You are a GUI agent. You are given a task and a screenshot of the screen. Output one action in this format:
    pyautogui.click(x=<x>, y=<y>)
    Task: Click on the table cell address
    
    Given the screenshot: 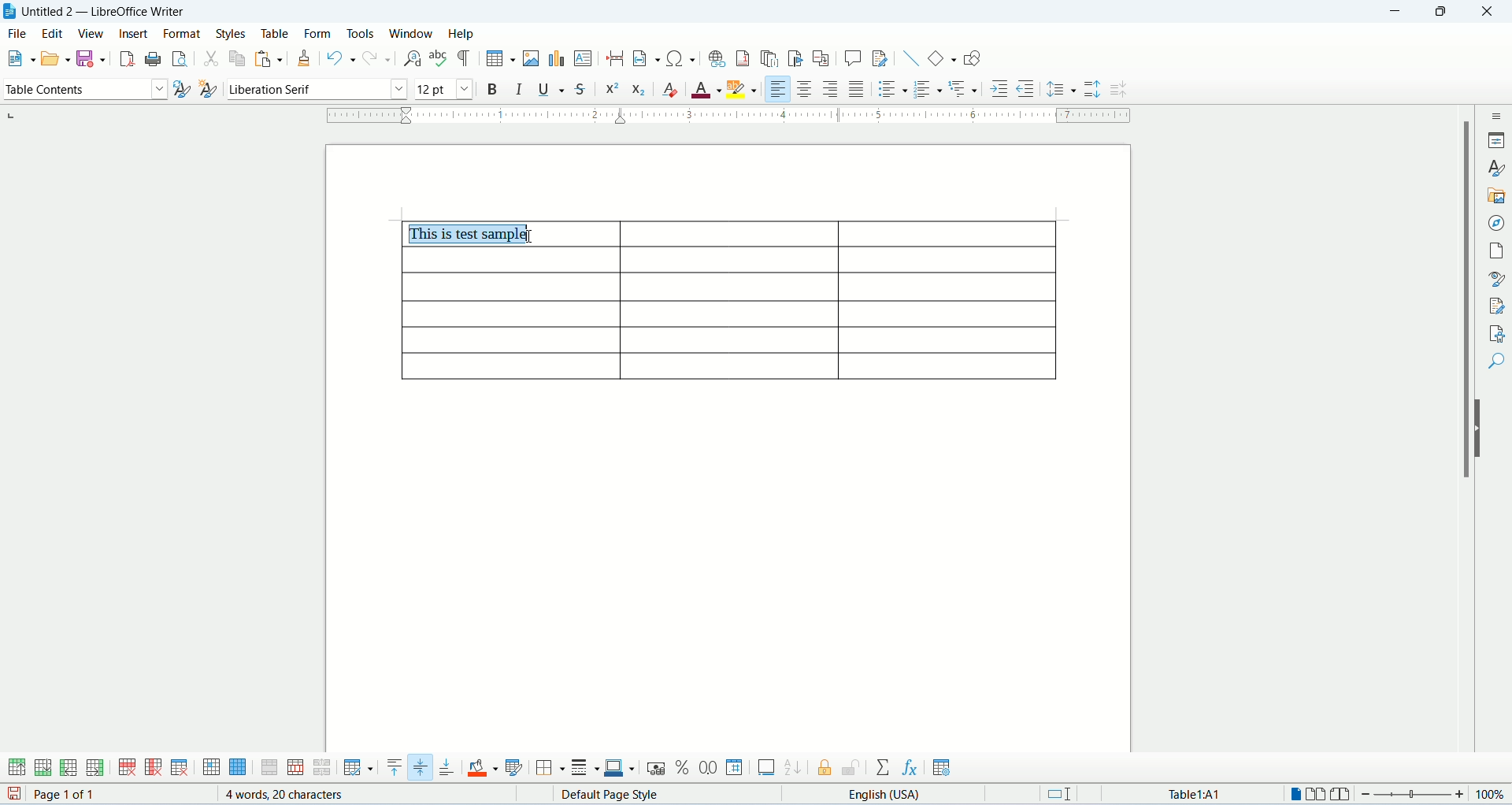 What is the action you would take?
    pyautogui.click(x=1183, y=793)
    